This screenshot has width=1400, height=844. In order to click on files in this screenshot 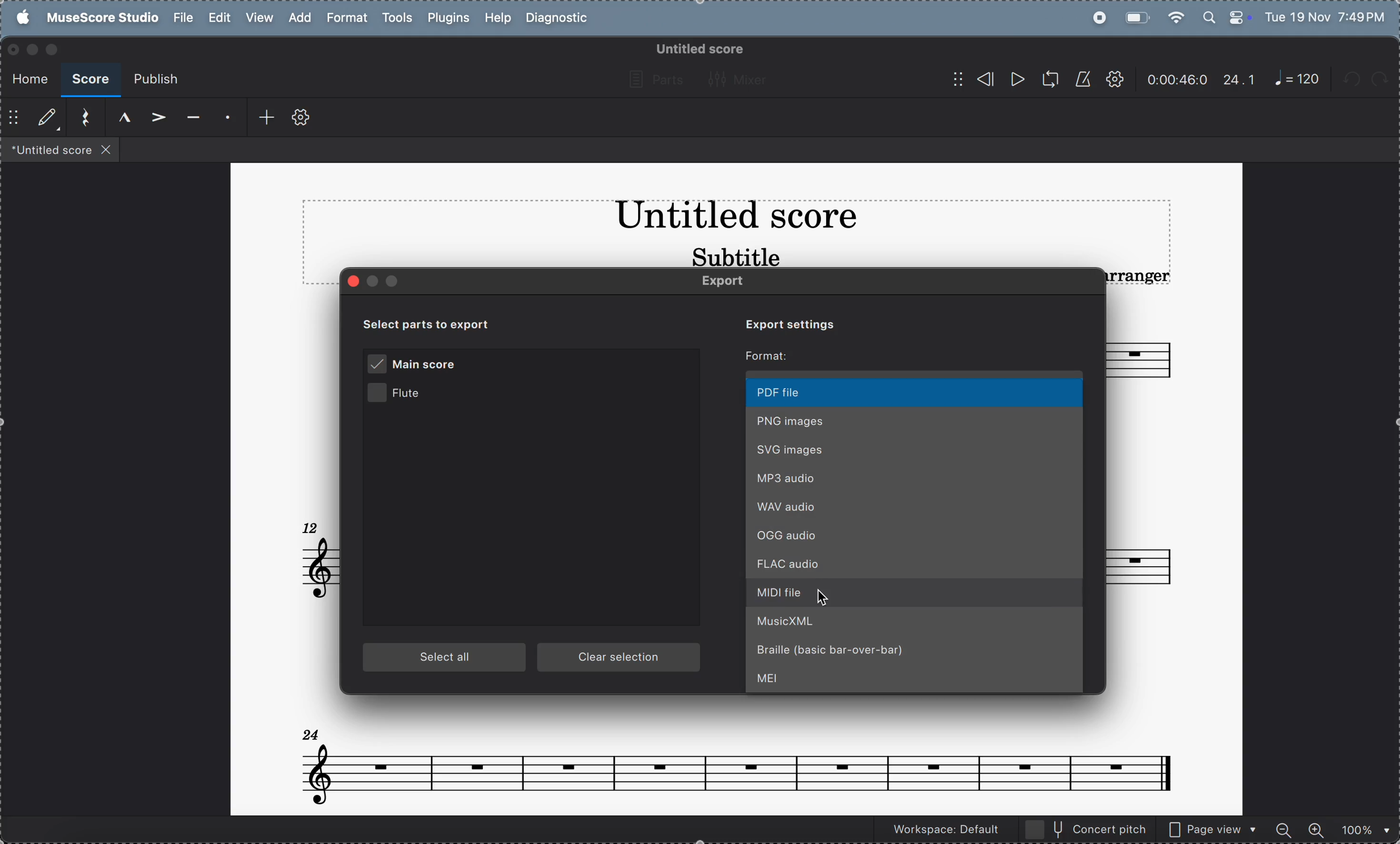, I will do `click(61, 149)`.